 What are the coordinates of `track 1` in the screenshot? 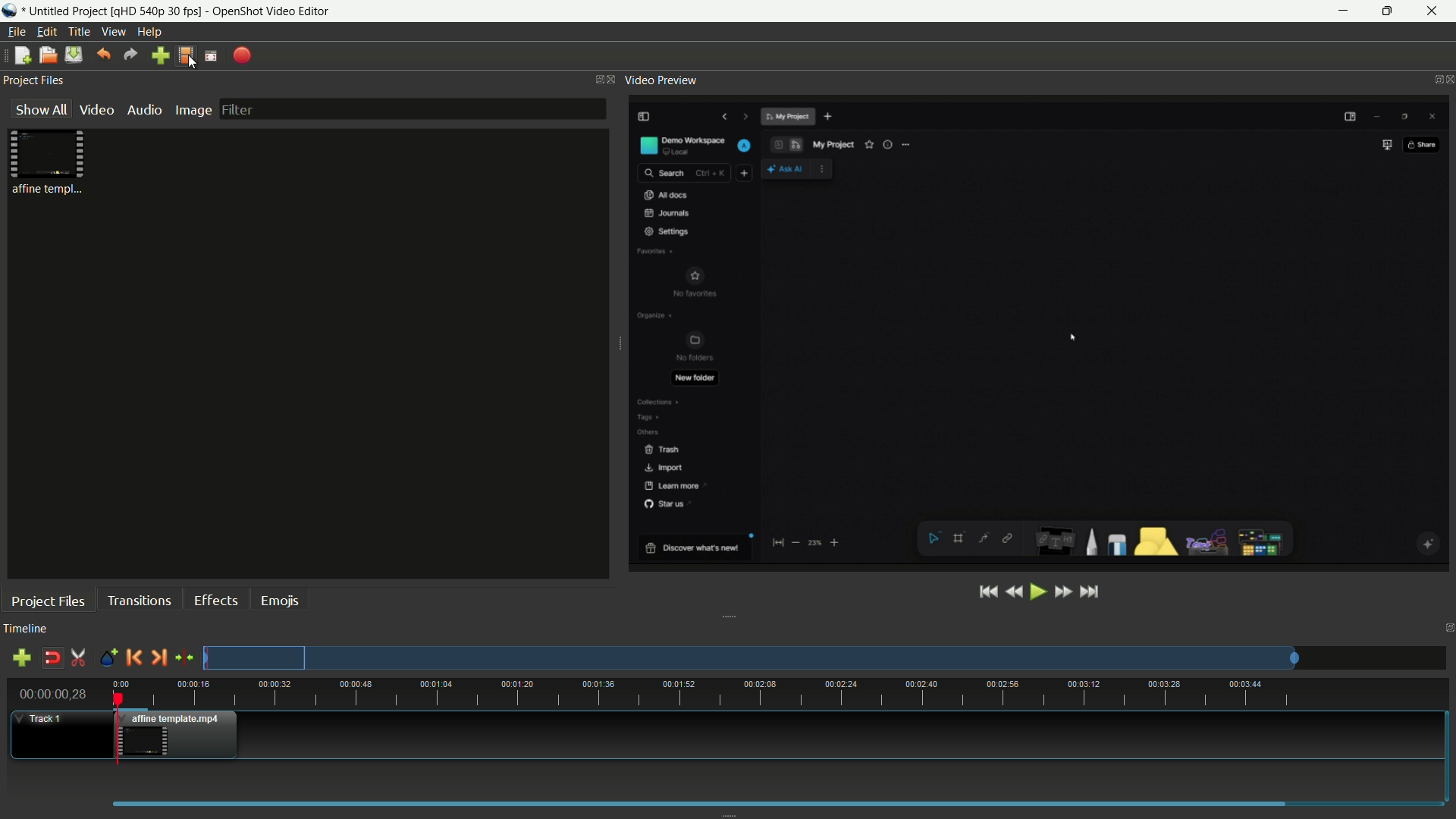 It's located at (42, 719).